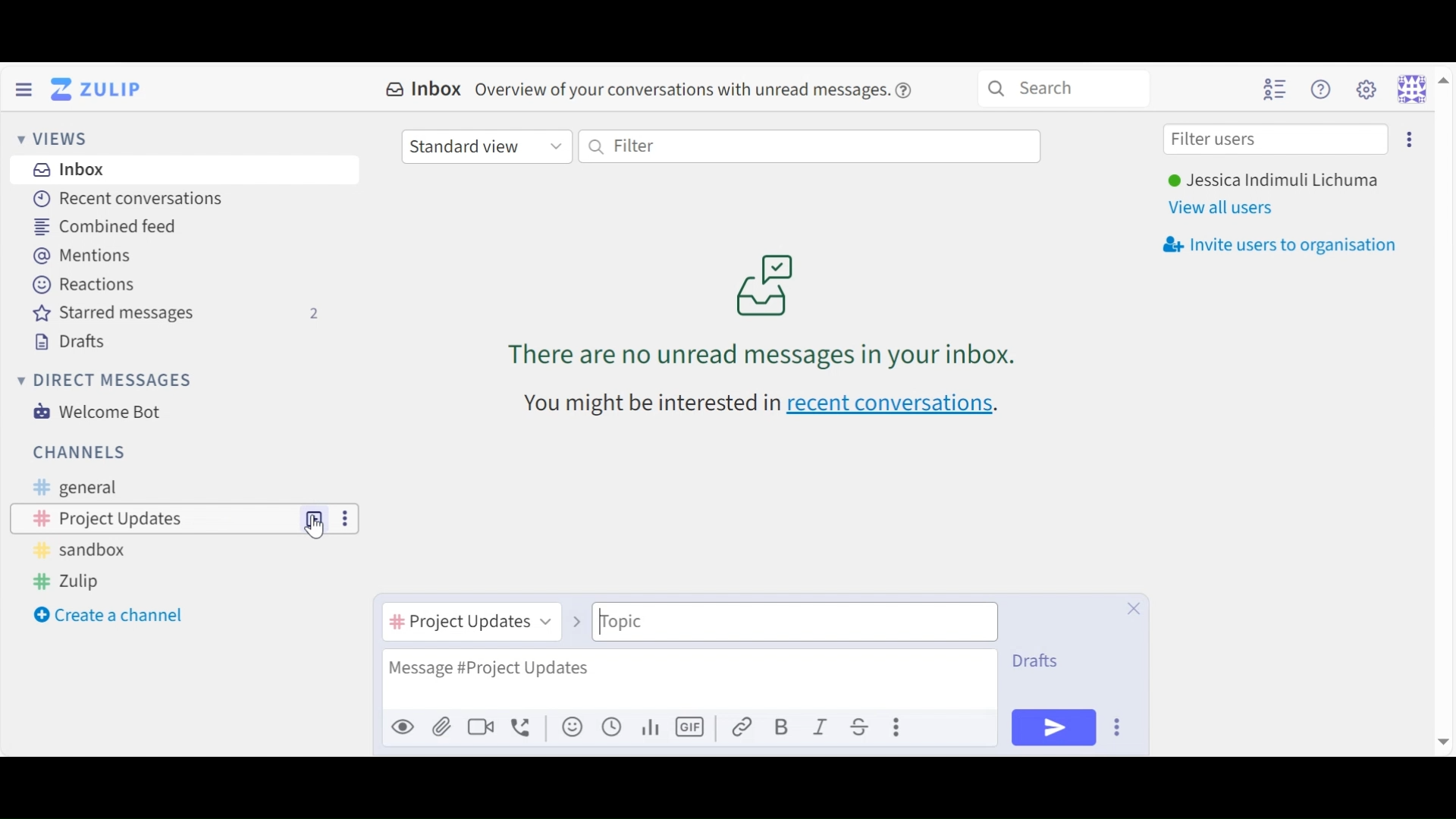 The height and width of the screenshot is (819, 1456). What do you see at coordinates (111, 617) in the screenshot?
I see `Create a channel` at bounding box center [111, 617].